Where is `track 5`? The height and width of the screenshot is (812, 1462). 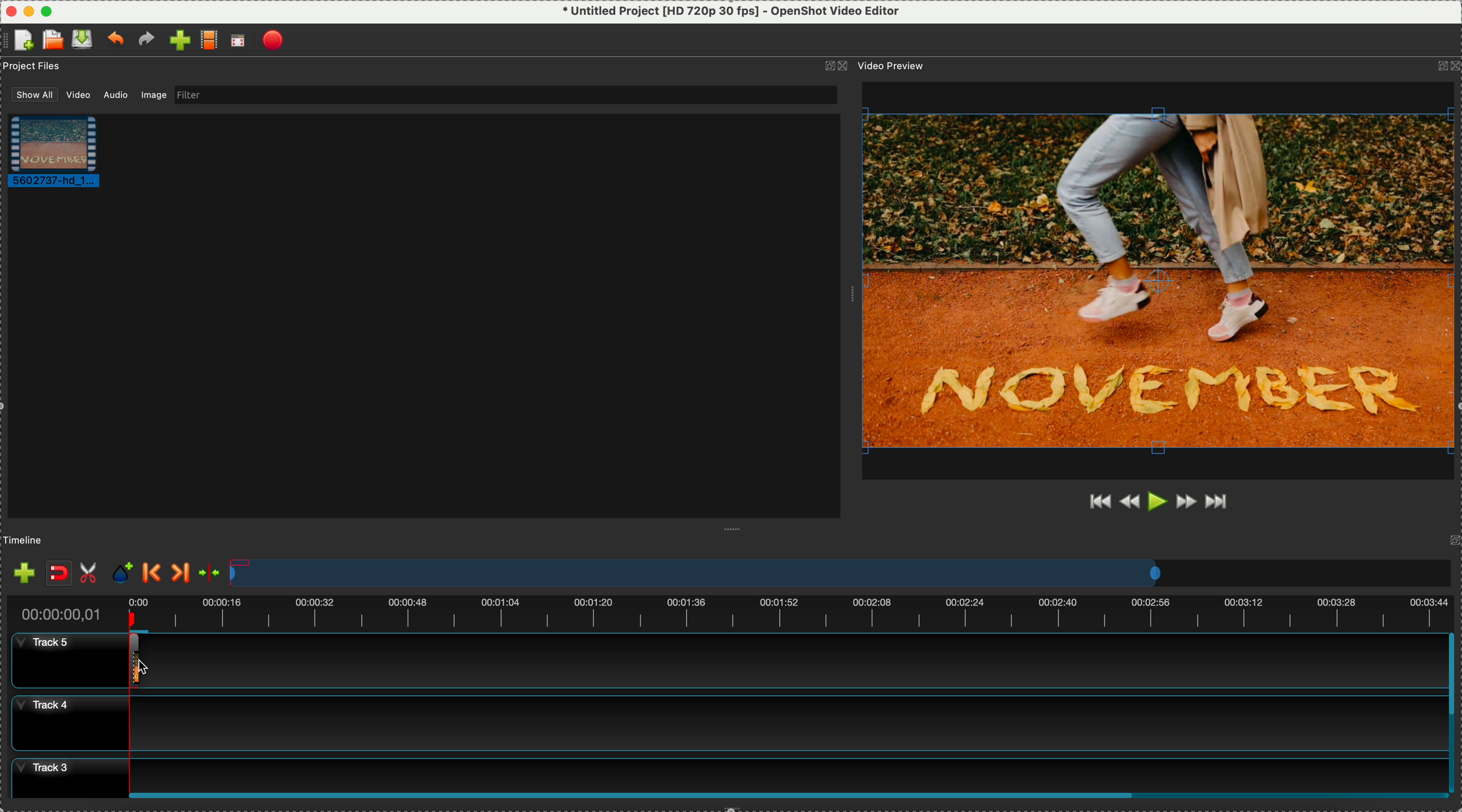 track 5 is located at coordinates (725, 660).